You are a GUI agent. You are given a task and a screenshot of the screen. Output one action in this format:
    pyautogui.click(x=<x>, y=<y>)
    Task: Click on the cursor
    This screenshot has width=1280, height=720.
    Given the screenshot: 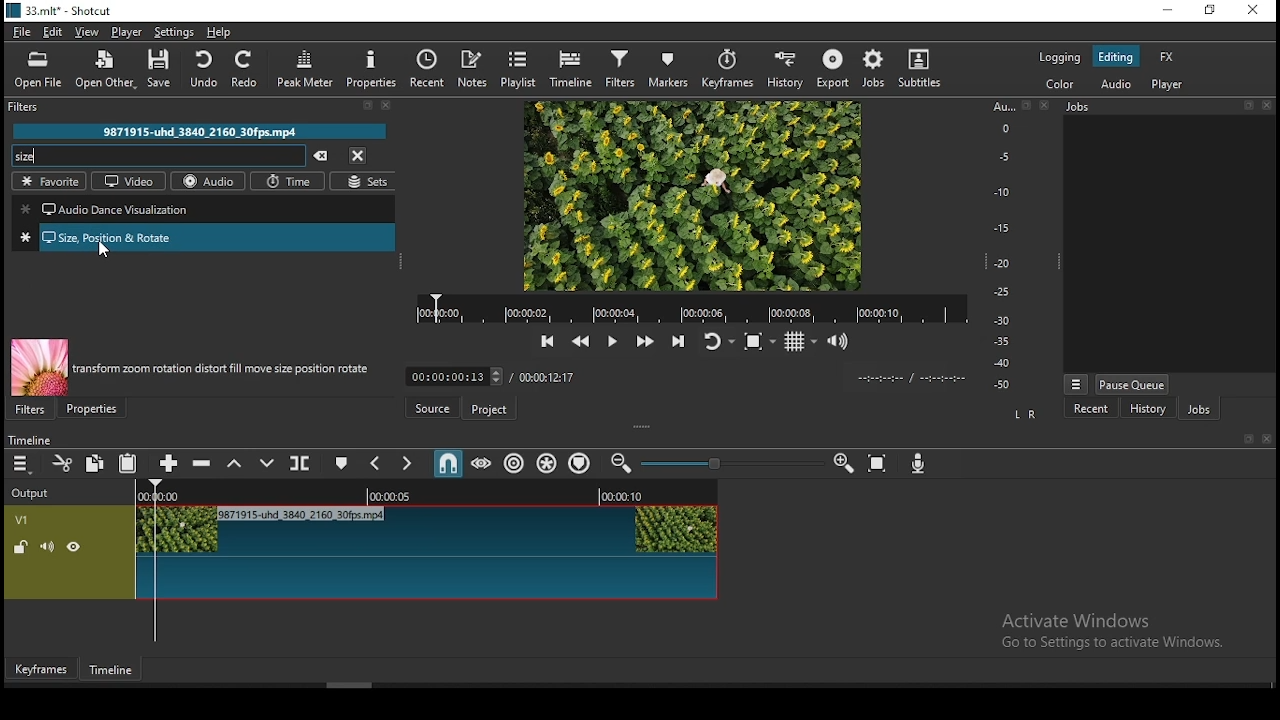 What is the action you would take?
    pyautogui.click(x=254, y=285)
    